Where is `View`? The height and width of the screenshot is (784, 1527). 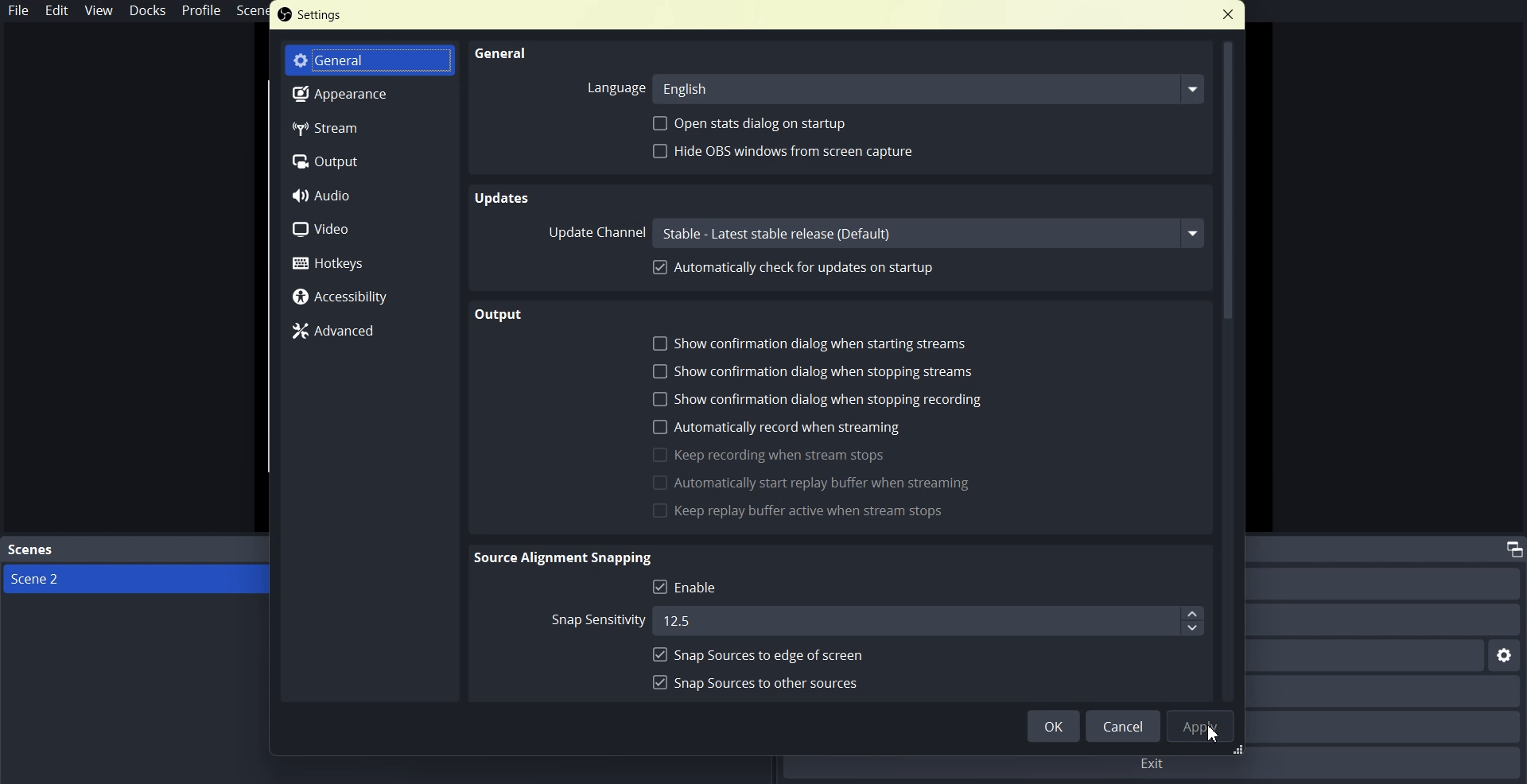
View is located at coordinates (99, 10).